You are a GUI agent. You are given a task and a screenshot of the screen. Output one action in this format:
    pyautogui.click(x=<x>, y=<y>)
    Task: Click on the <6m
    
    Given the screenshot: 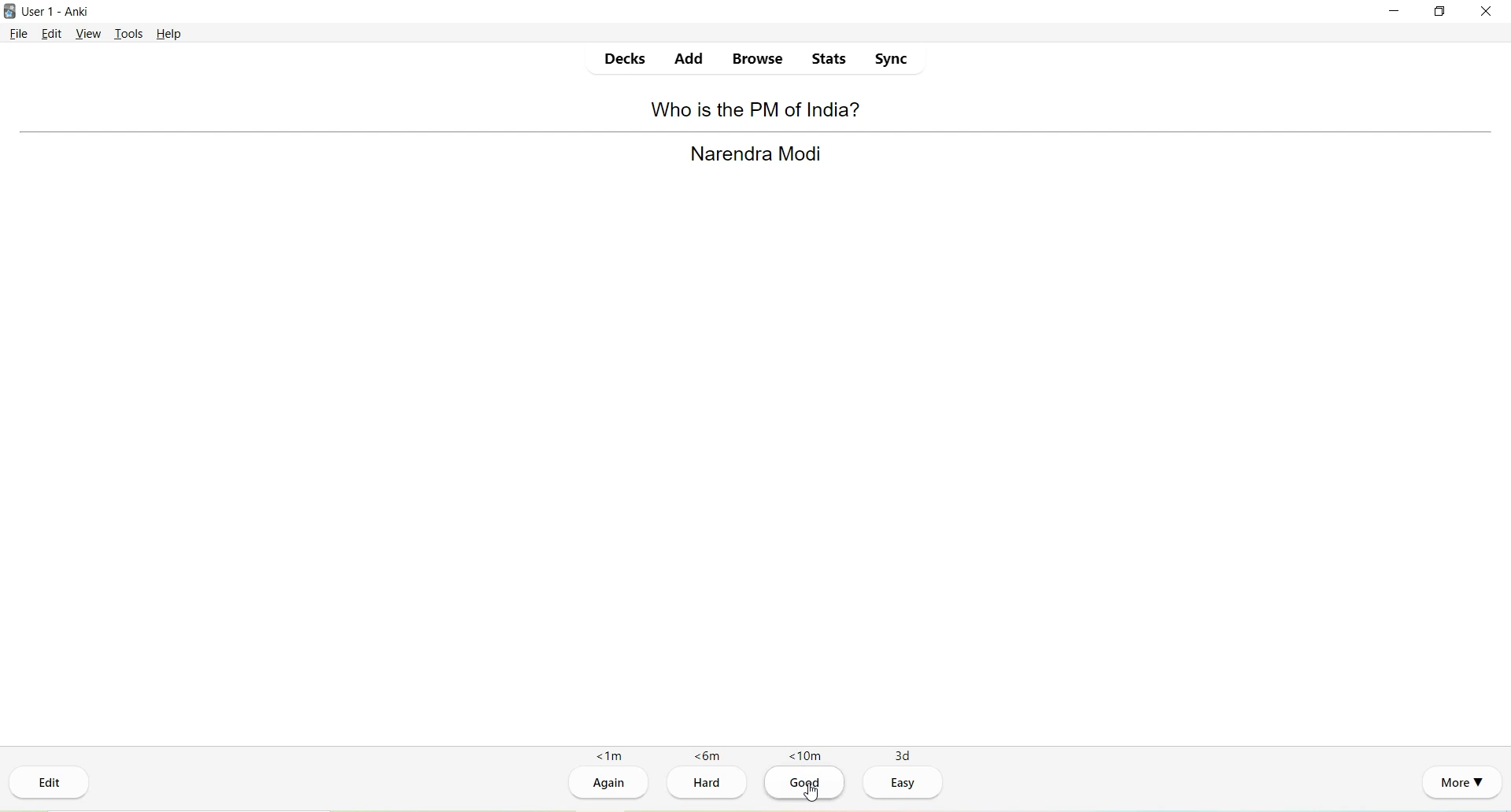 What is the action you would take?
    pyautogui.click(x=708, y=755)
    